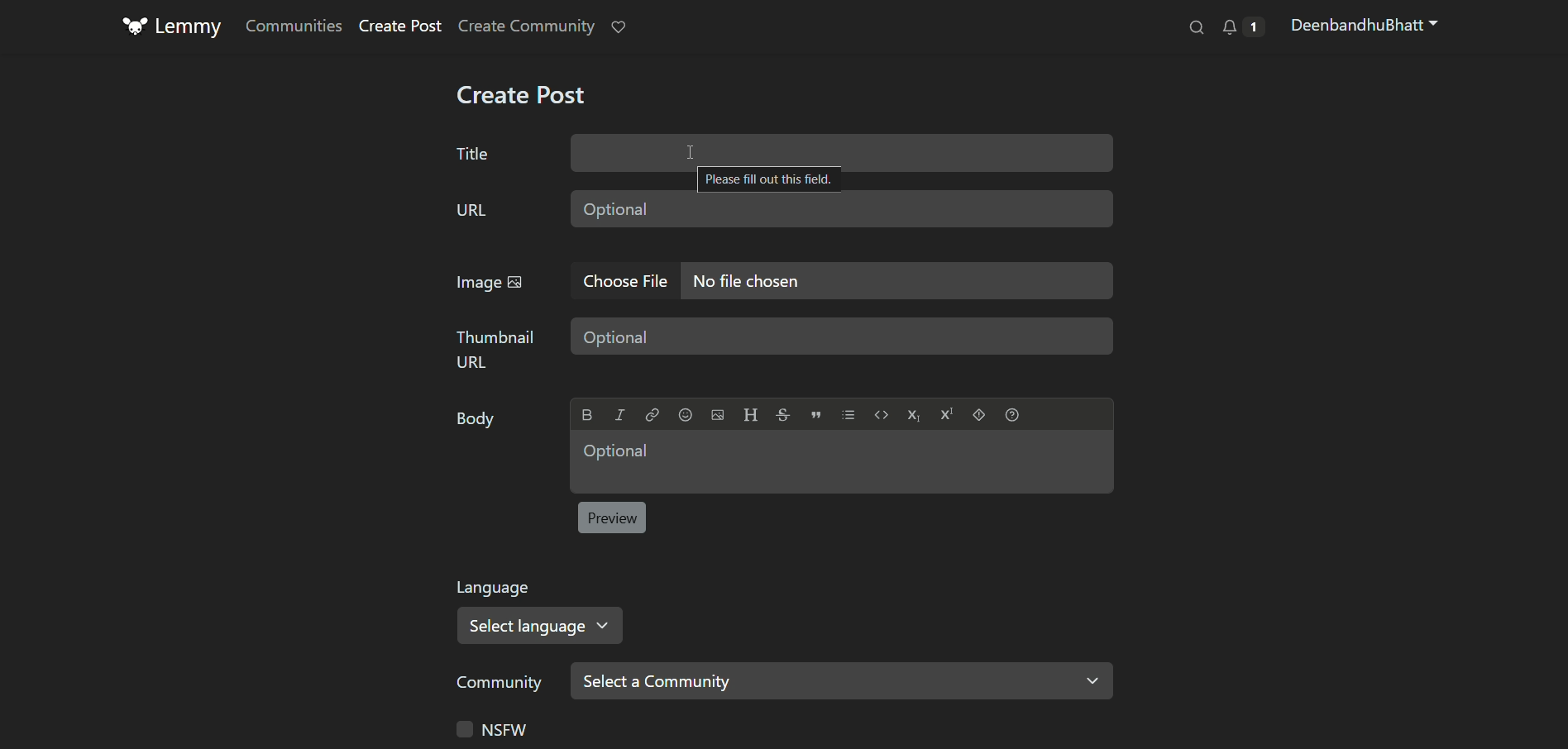 The image size is (1568, 749). Describe the element at coordinates (913, 416) in the screenshot. I see `Subscript` at that location.